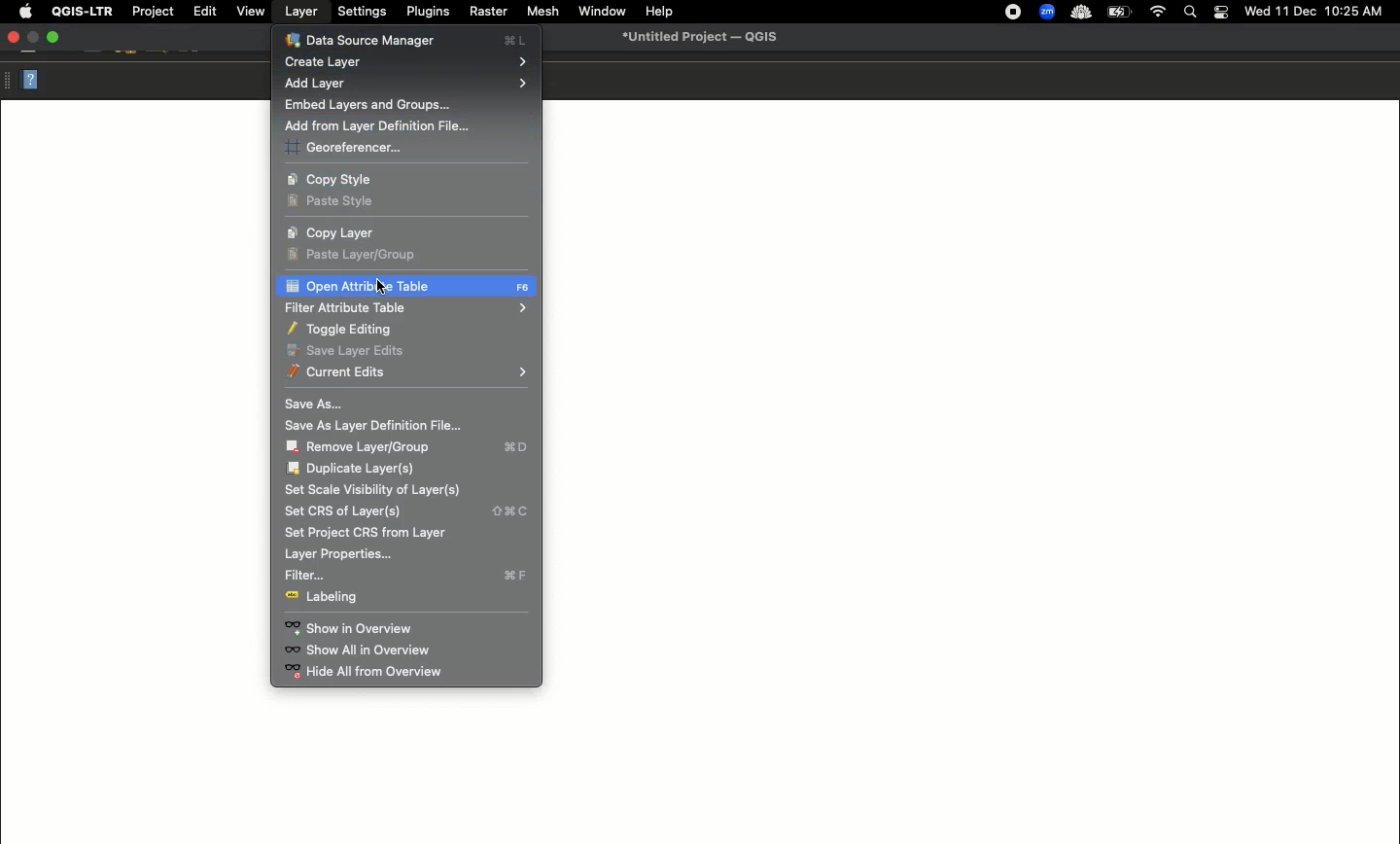  What do you see at coordinates (408, 84) in the screenshot?
I see `Add layer` at bounding box center [408, 84].